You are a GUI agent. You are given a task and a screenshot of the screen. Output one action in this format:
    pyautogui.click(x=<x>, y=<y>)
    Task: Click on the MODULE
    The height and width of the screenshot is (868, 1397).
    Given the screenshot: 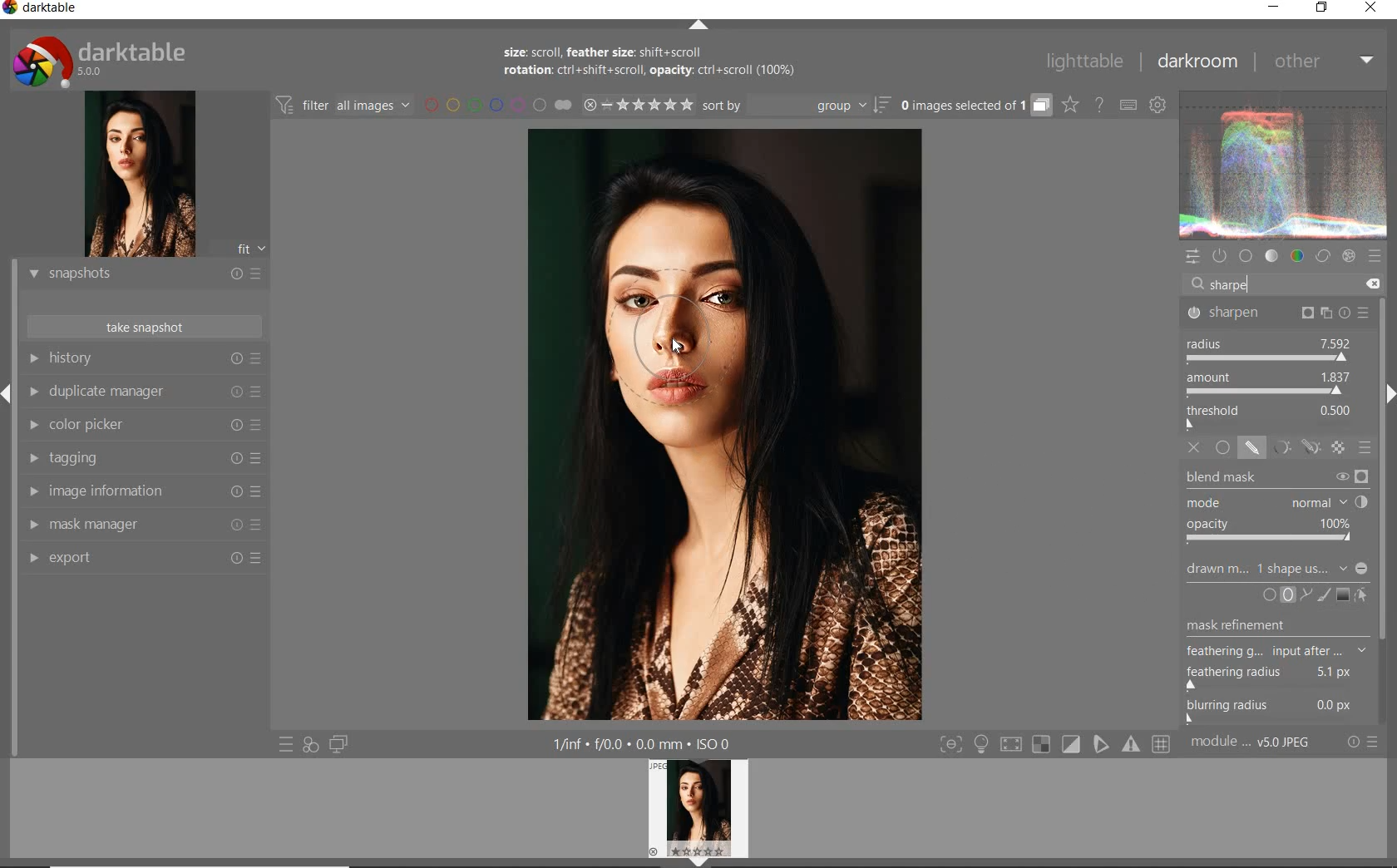 What is the action you would take?
    pyautogui.click(x=1254, y=746)
    